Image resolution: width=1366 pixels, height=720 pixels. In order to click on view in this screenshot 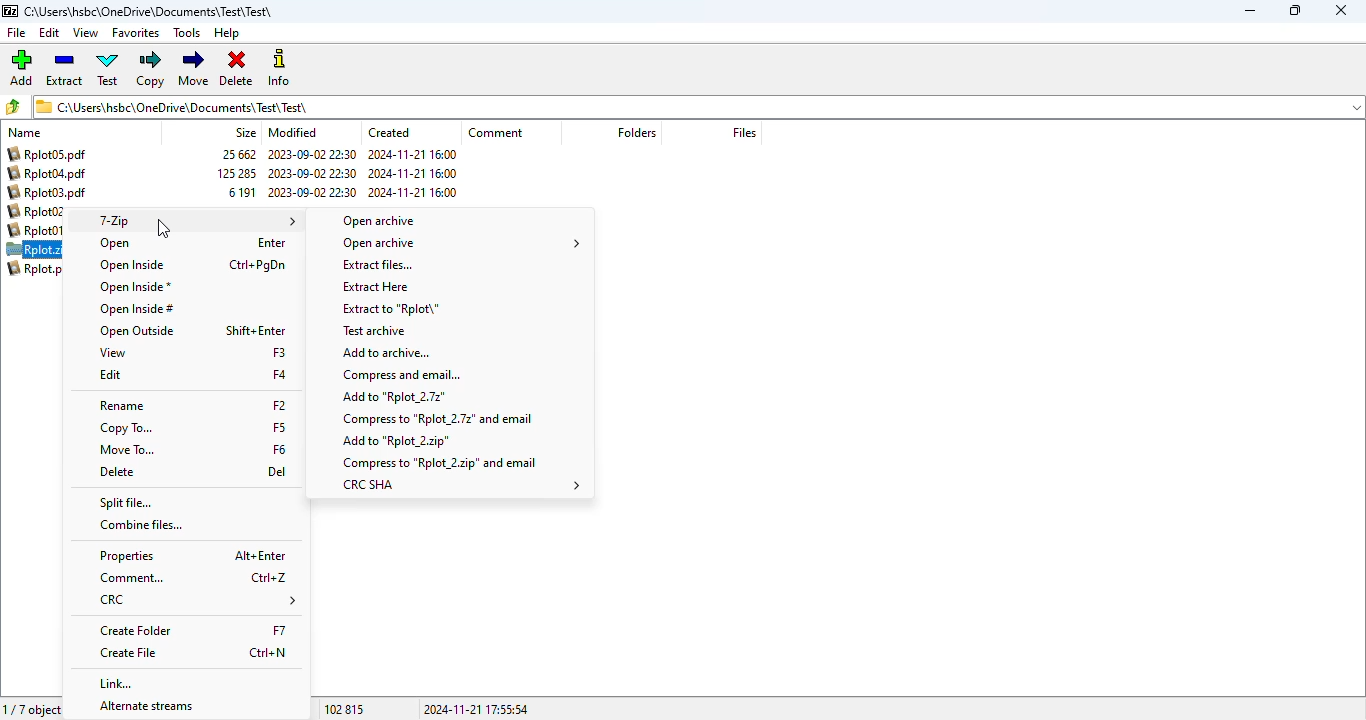, I will do `click(85, 32)`.